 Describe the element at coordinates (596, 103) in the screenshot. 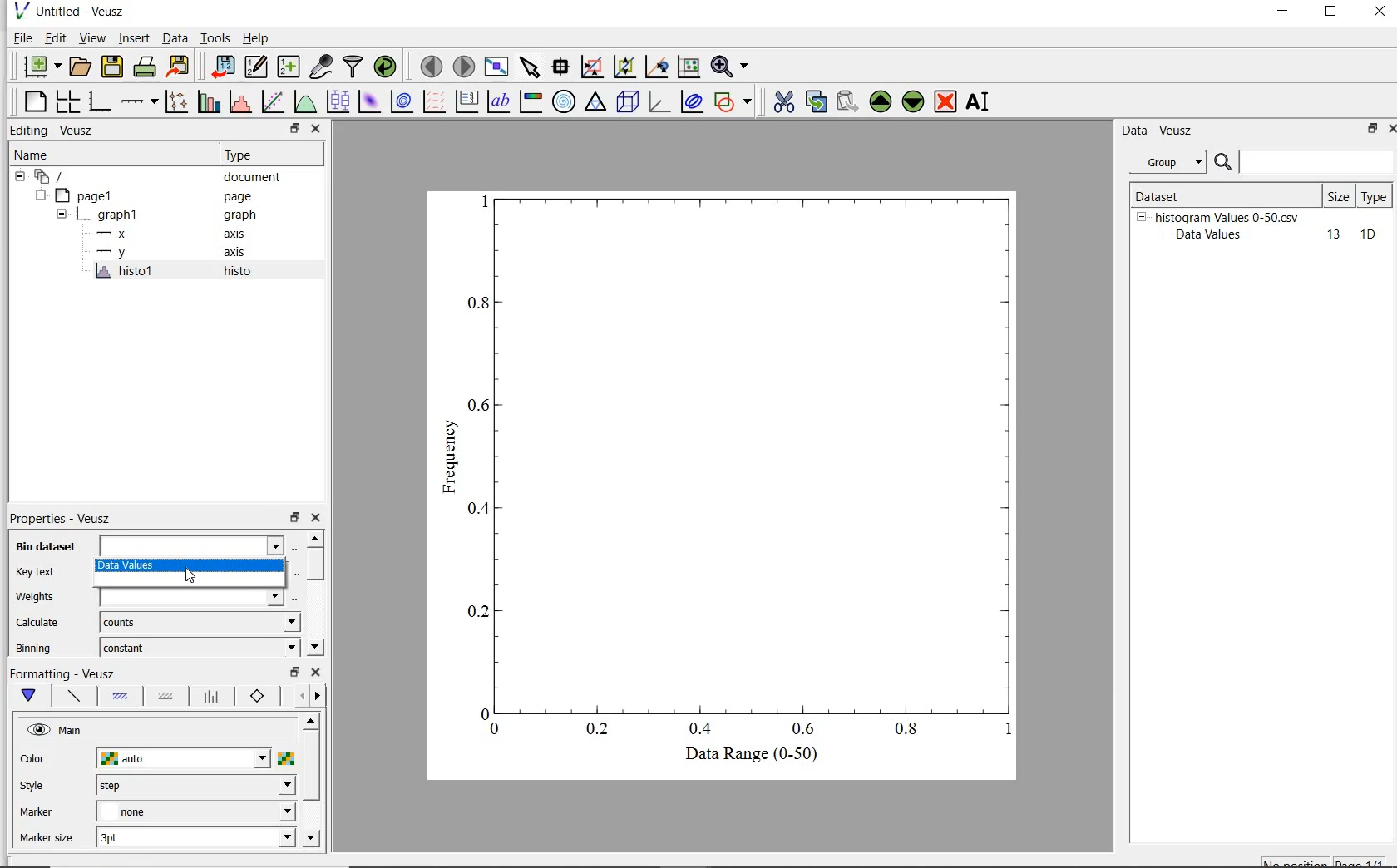

I see `ternary graph` at that location.